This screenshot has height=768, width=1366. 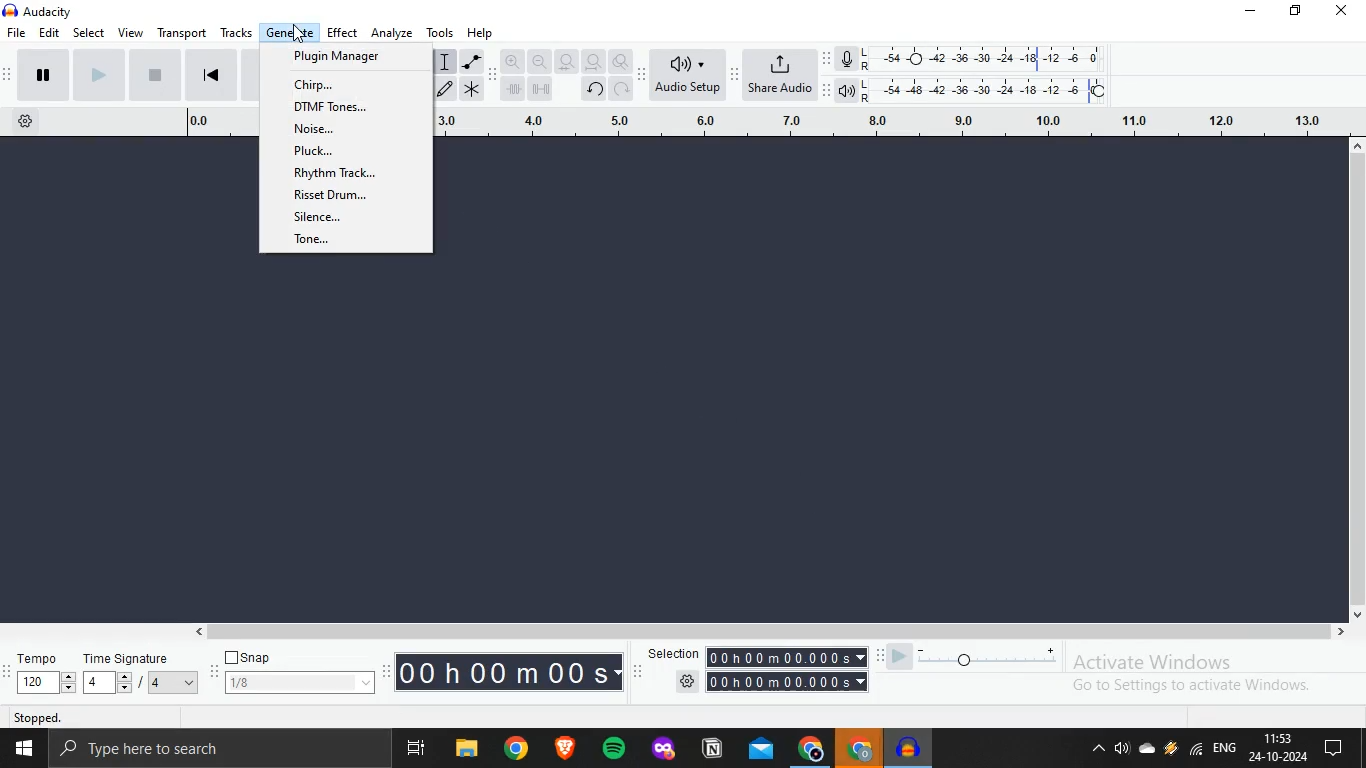 I want to click on Transport, so click(x=181, y=33).